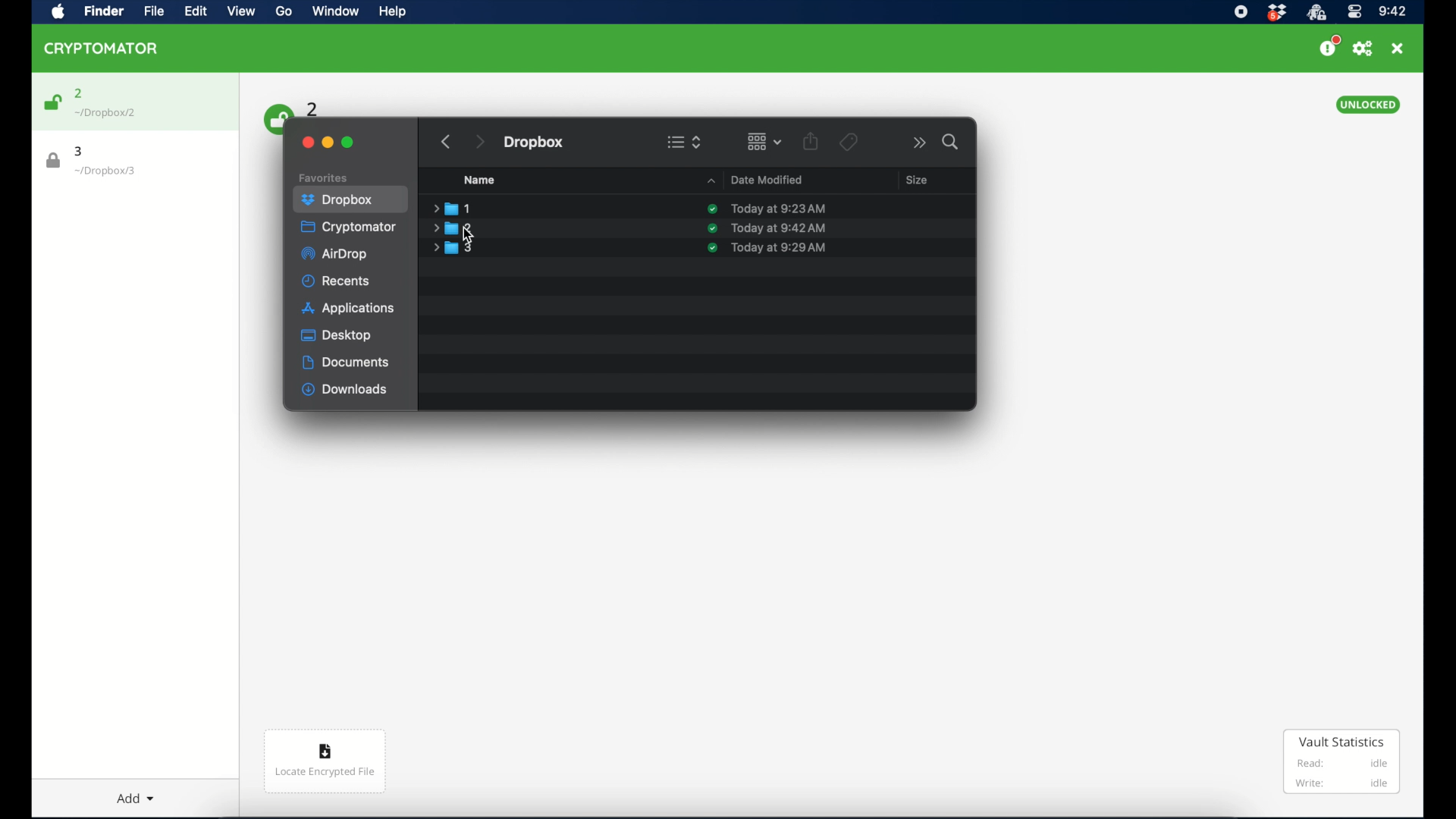 This screenshot has width=1456, height=819. What do you see at coordinates (535, 143) in the screenshot?
I see `dropbox` at bounding box center [535, 143].